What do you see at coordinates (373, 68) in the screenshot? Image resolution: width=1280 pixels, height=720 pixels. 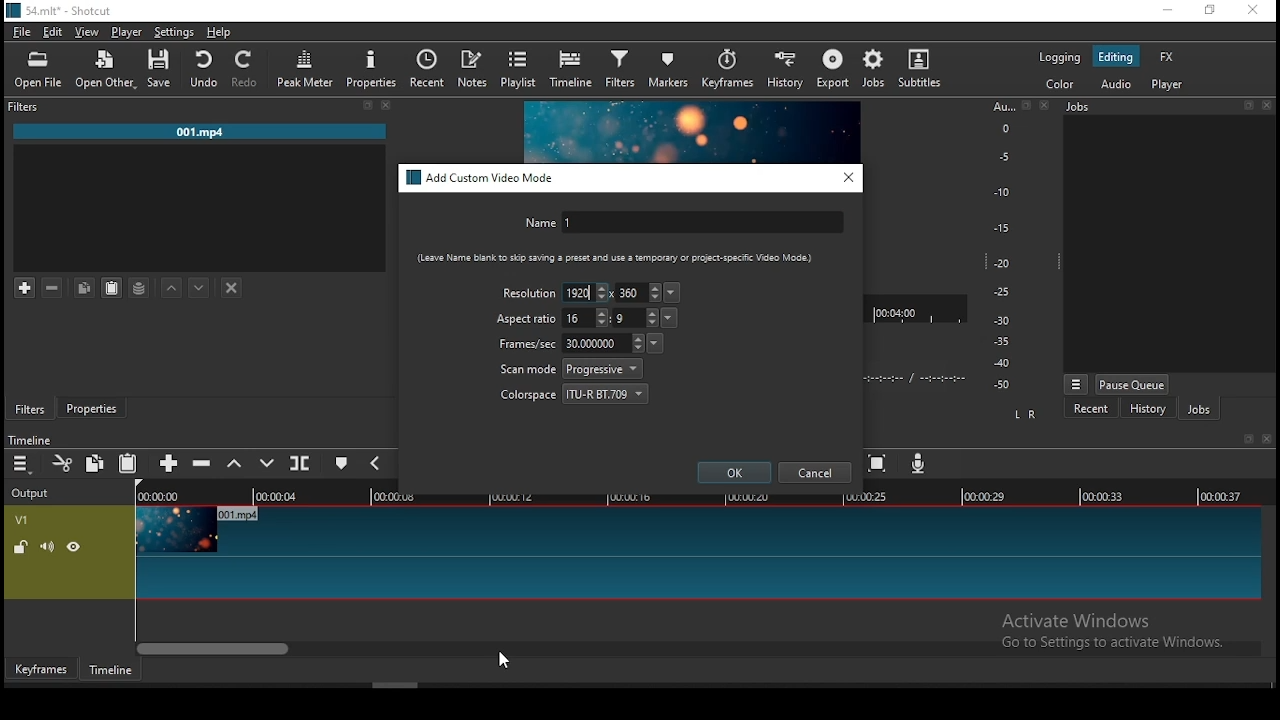 I see `properties` at bounding box center [373, 68].